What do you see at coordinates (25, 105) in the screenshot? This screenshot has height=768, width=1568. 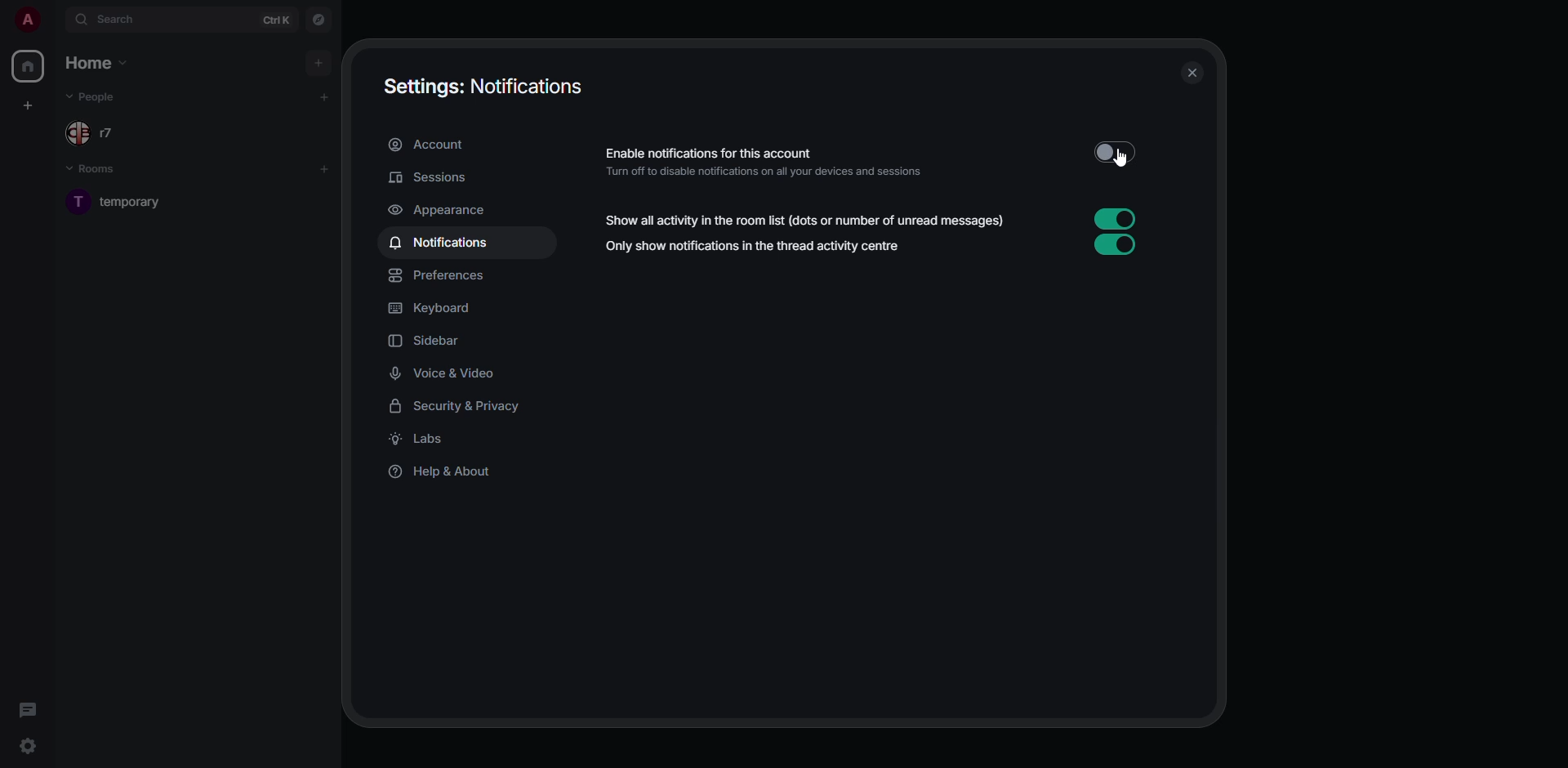 I see `create space` at bounding box center [25, 105].